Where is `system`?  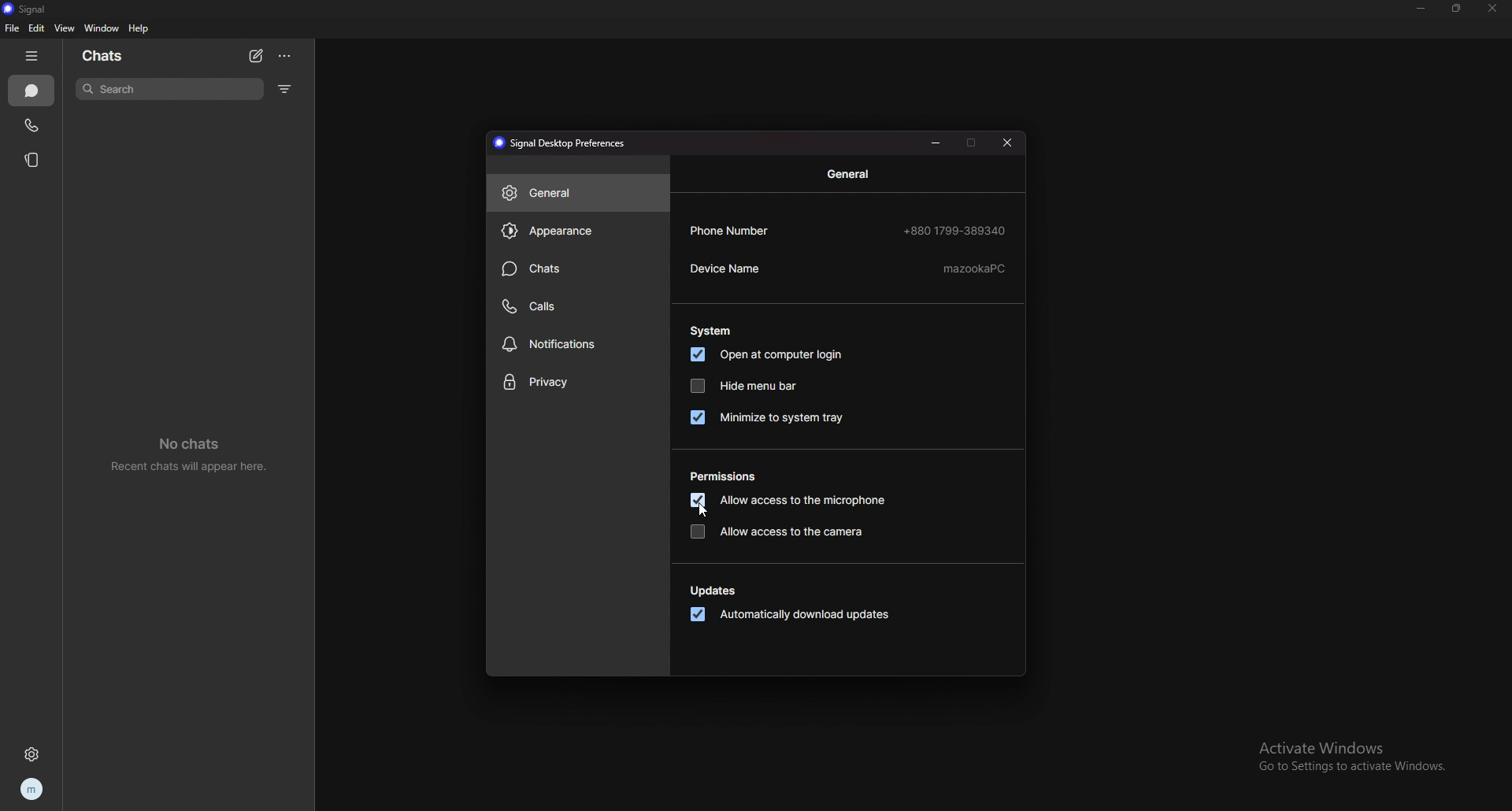 system is located at coordinates (710, 331).